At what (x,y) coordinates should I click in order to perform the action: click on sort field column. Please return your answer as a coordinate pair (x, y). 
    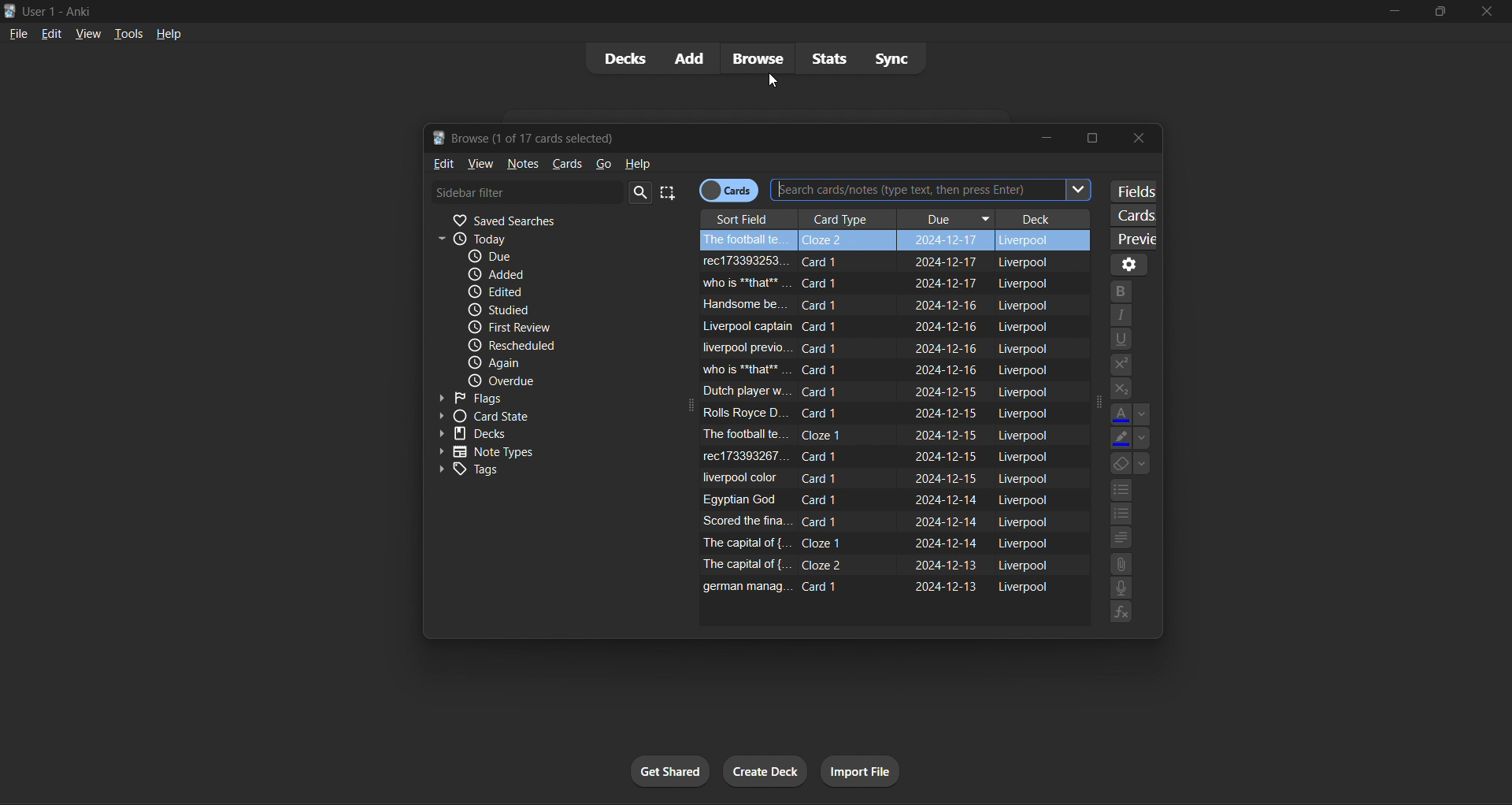
    Looking at the image, I should click on (750, 218).